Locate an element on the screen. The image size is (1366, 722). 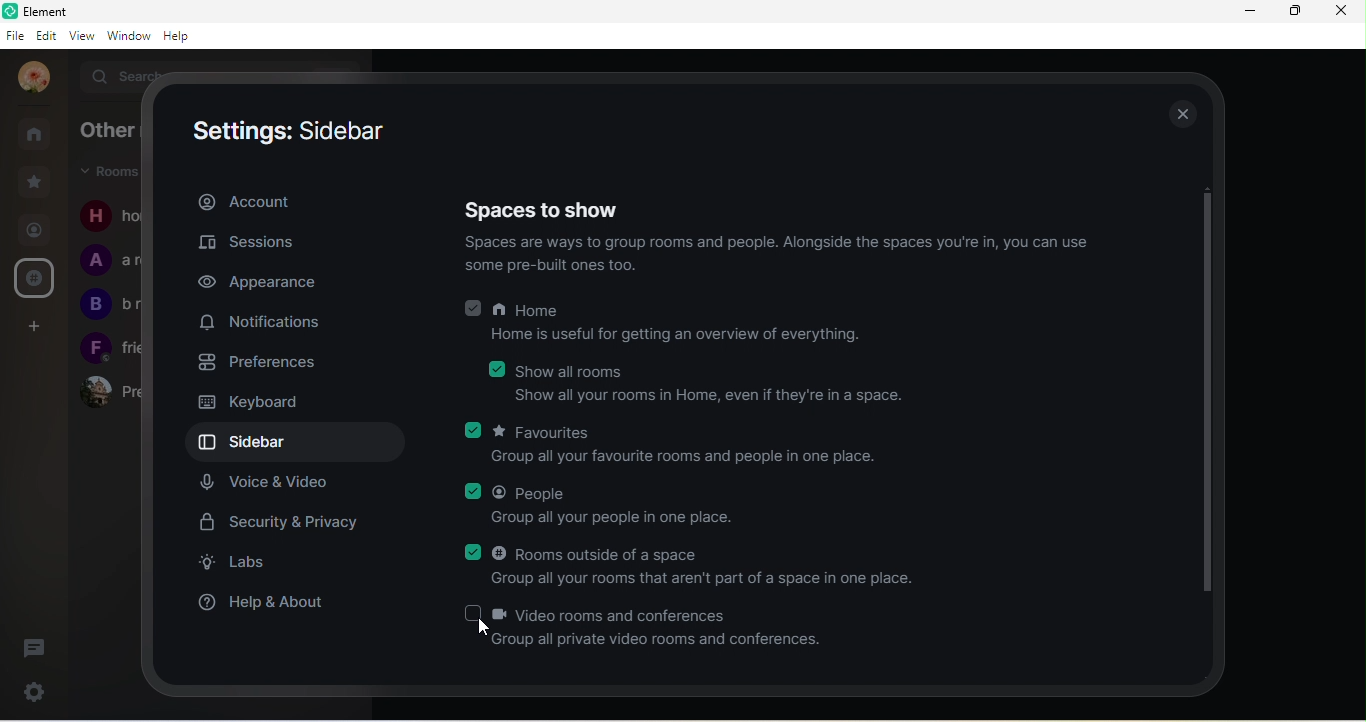
view is located at coordinates (86, 36).